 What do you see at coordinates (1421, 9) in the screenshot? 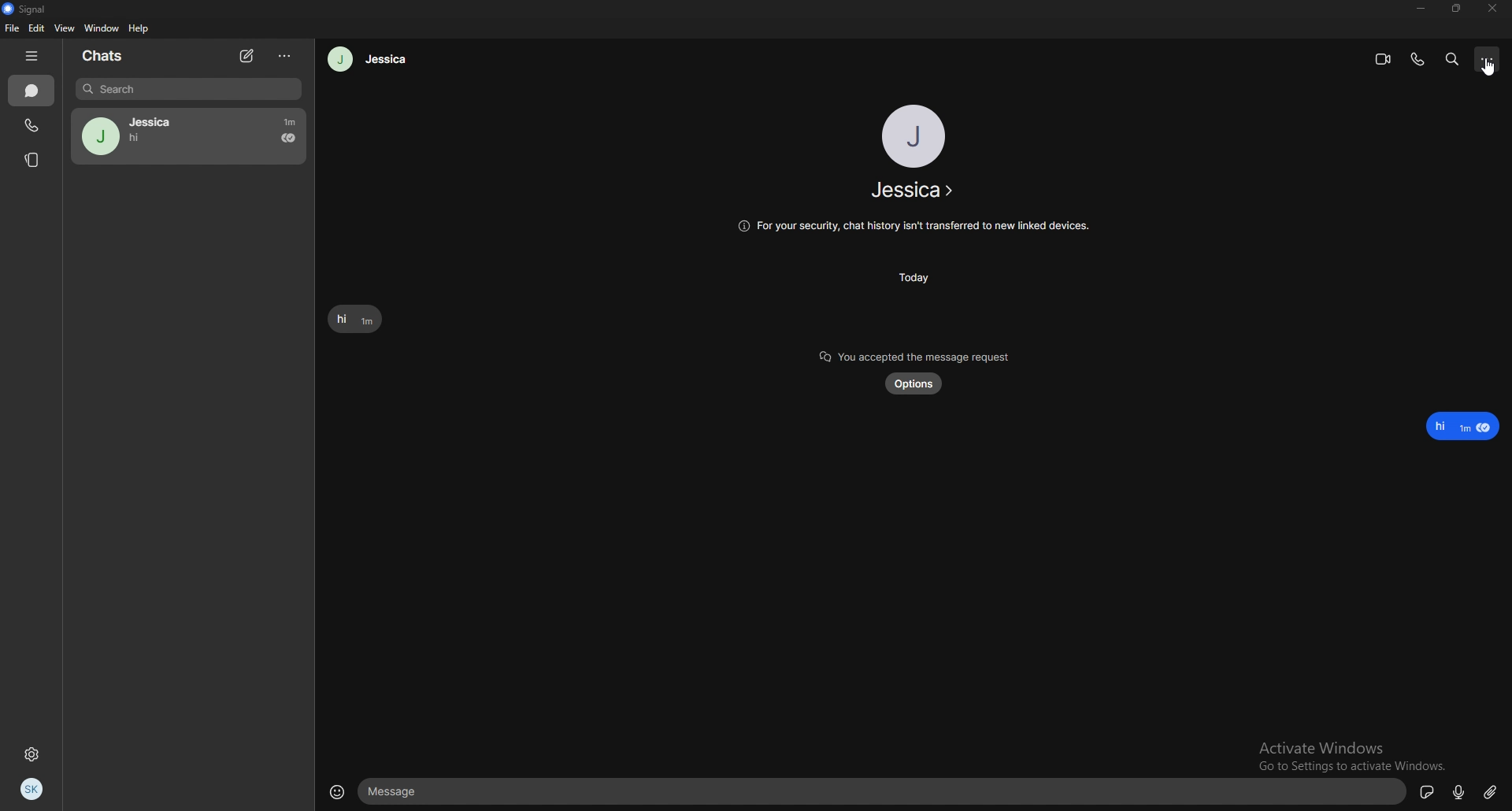
I see `Minimize` at bounding box center [1421, 9].